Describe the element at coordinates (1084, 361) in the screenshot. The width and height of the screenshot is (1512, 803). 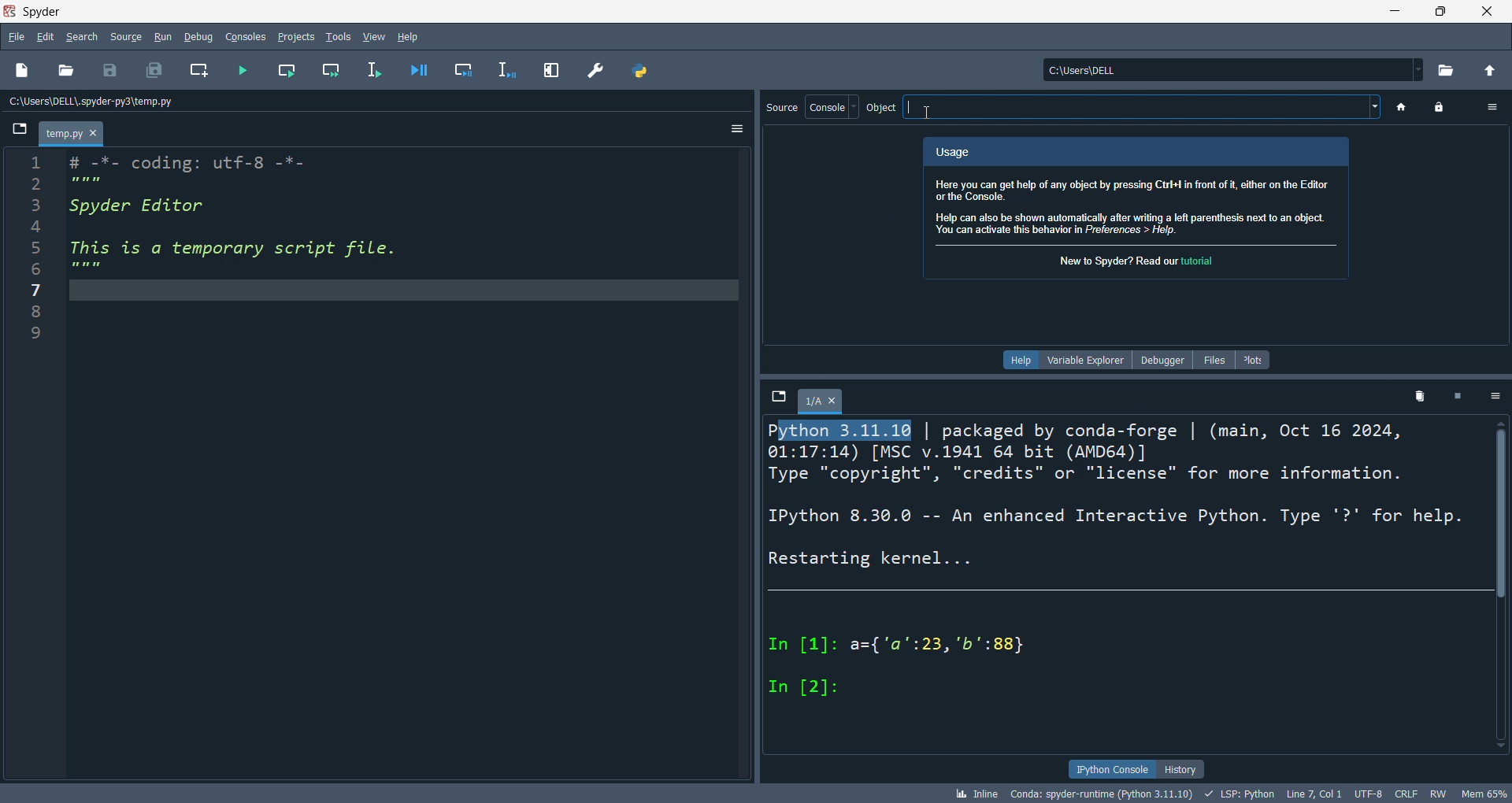
I see `variable explorer` at that location.